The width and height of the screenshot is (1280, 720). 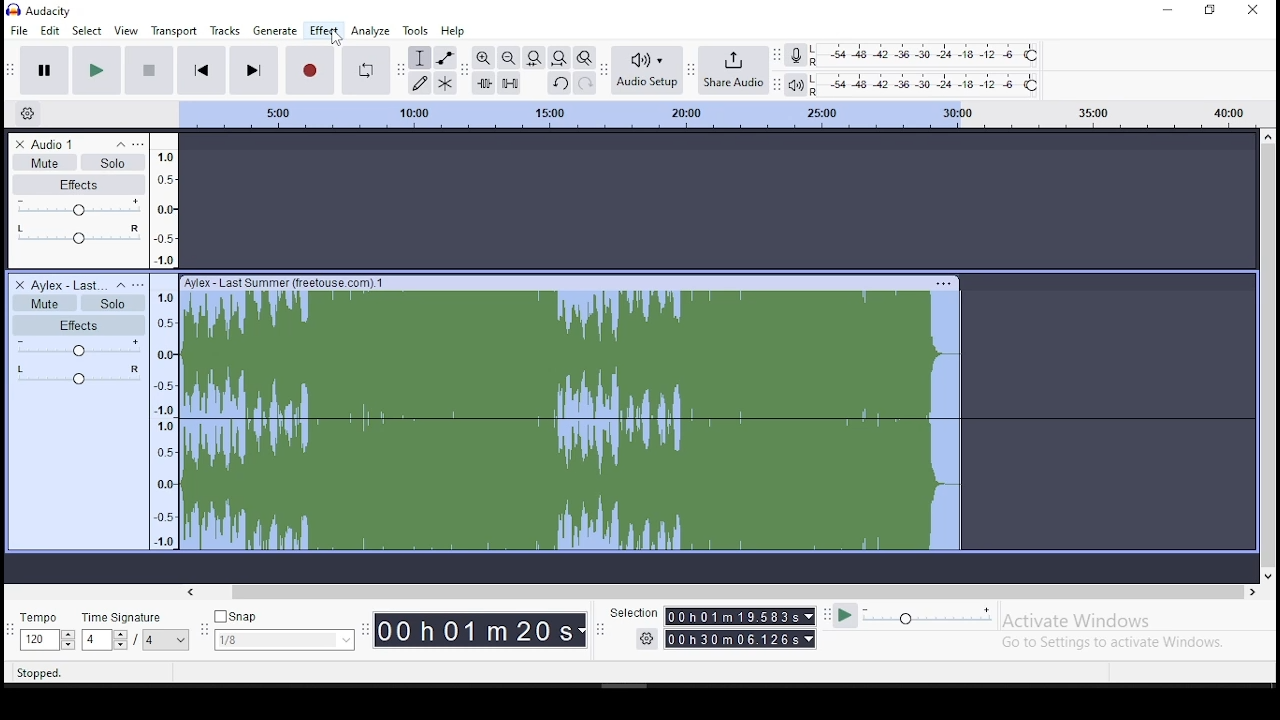 What do you see at coordinates (364, 71) in the screenshot?
I see `enable looping` at bounding box center [364, 71].